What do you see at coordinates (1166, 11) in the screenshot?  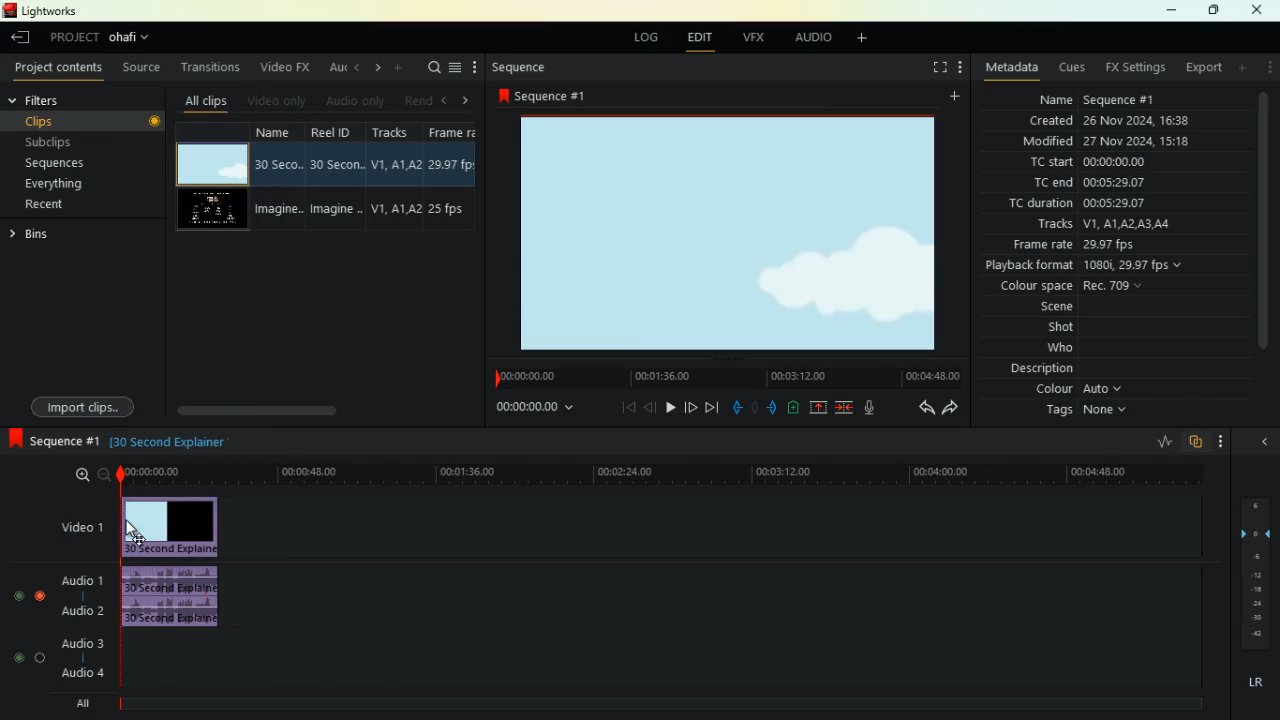 I see `minimize` at bounding box center [1166, 11].